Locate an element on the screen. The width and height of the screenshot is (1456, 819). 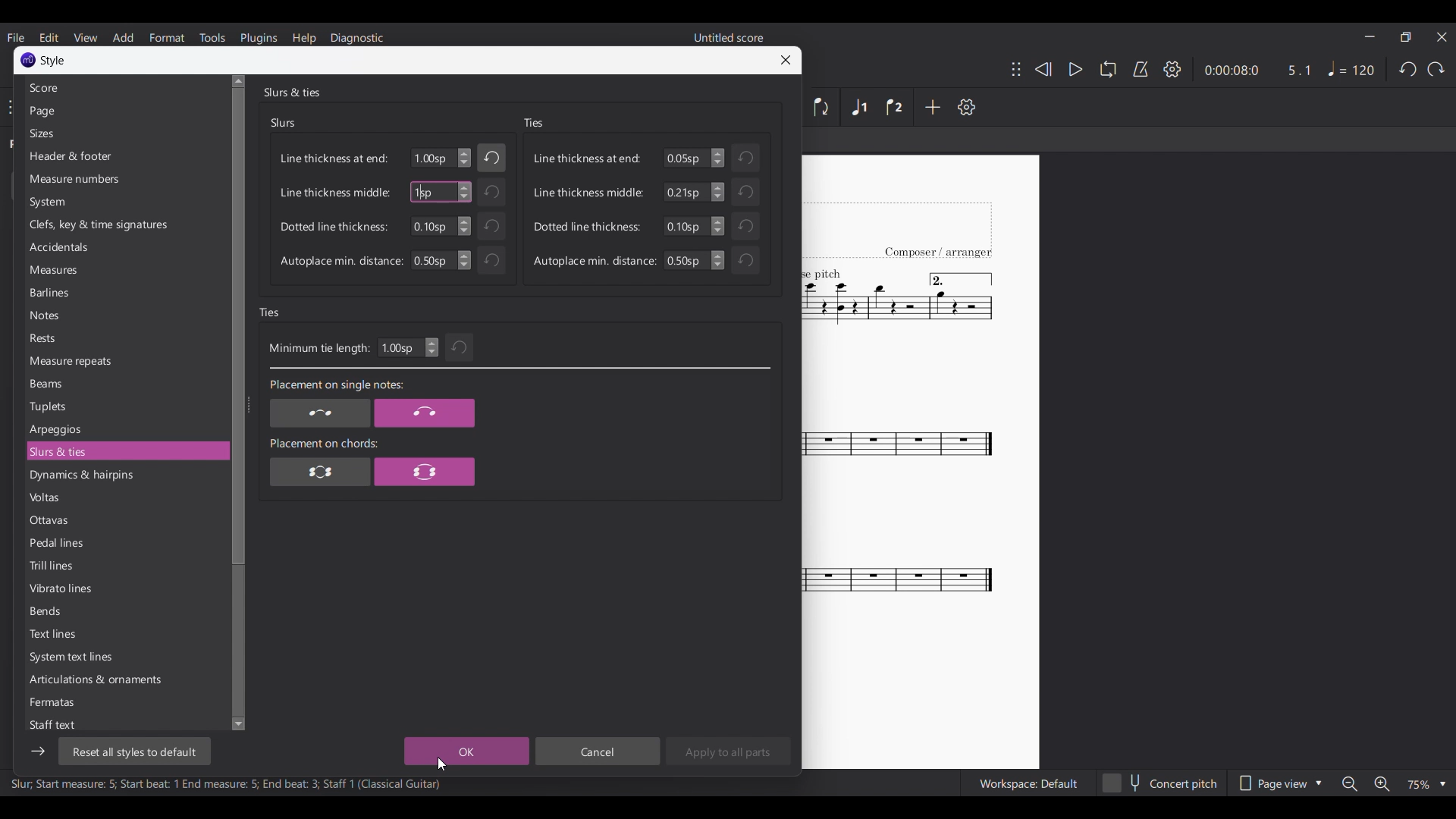
Placement on single note is located at coordinates (335, 386).